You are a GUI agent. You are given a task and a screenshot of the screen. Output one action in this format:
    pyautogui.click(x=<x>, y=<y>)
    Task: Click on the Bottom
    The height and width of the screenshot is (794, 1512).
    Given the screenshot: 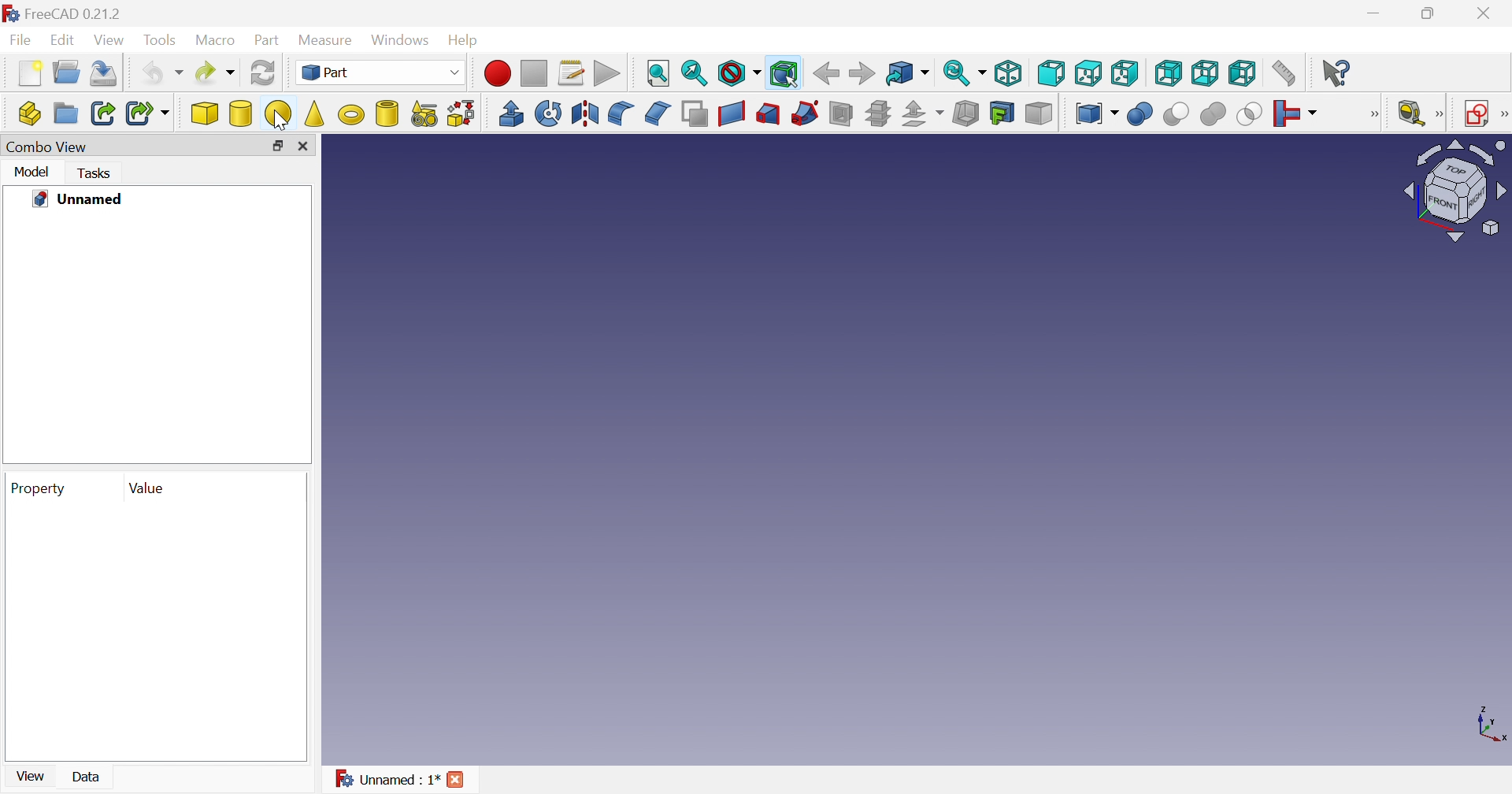 What is the action you would take?
    pyautogui.click(x=1207, y=72)
    